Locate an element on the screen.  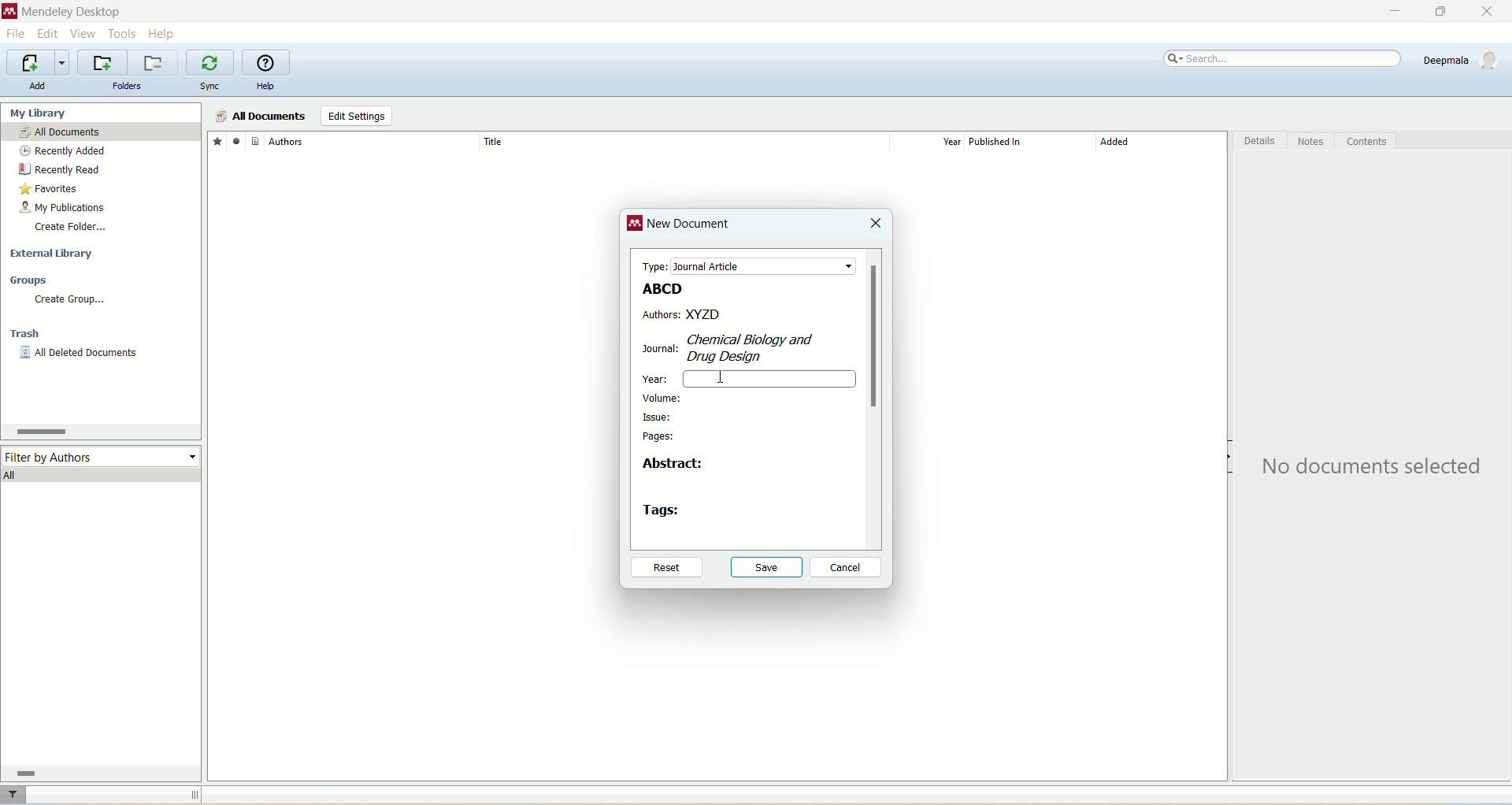
filter is located at coordinates (15, 795).